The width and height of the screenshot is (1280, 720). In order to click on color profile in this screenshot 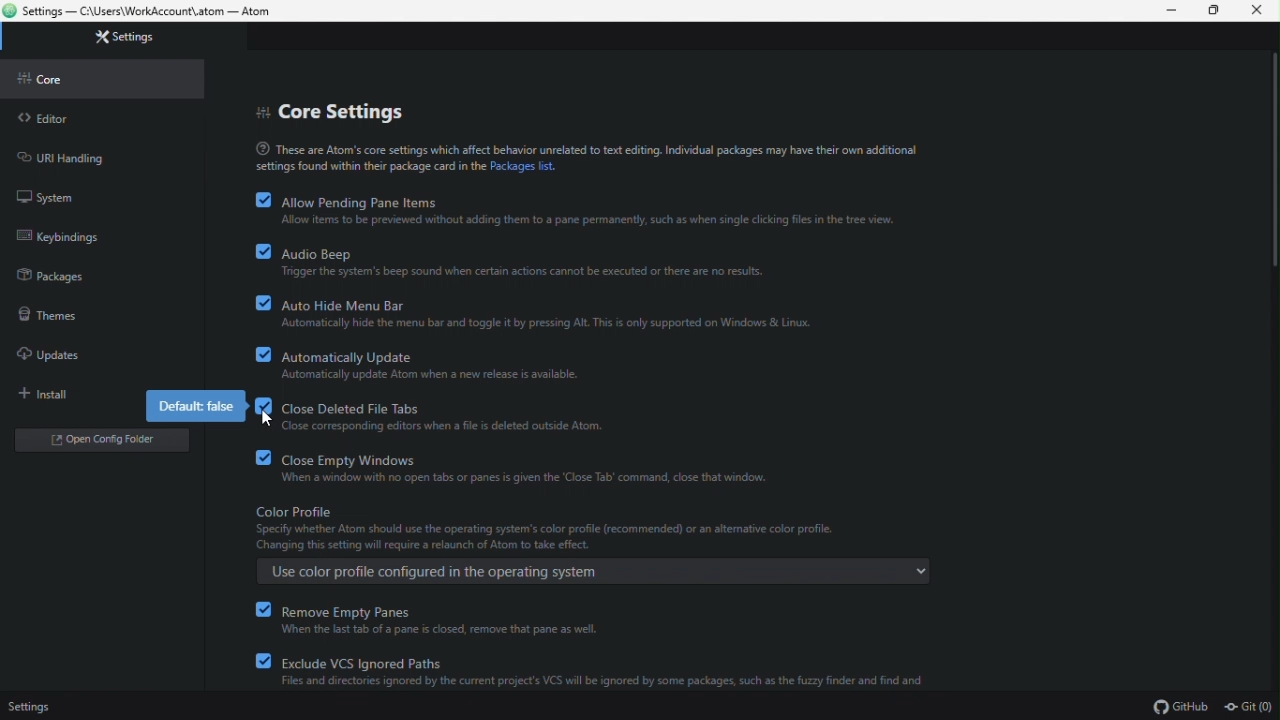, I will do `click(590, 543)`.